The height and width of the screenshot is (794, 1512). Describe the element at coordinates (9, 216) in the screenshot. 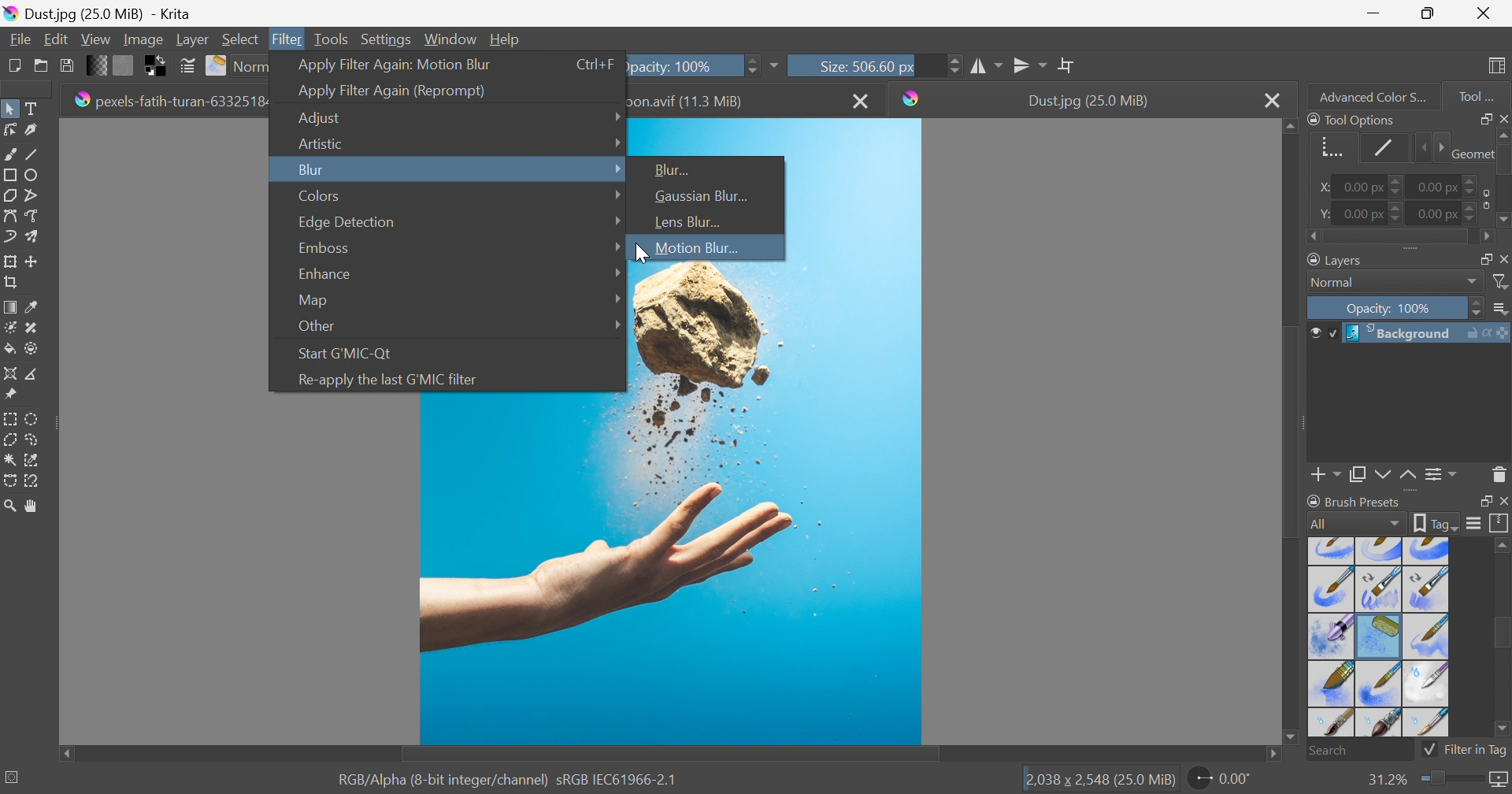

I see `Bezier curve tool` at that location.